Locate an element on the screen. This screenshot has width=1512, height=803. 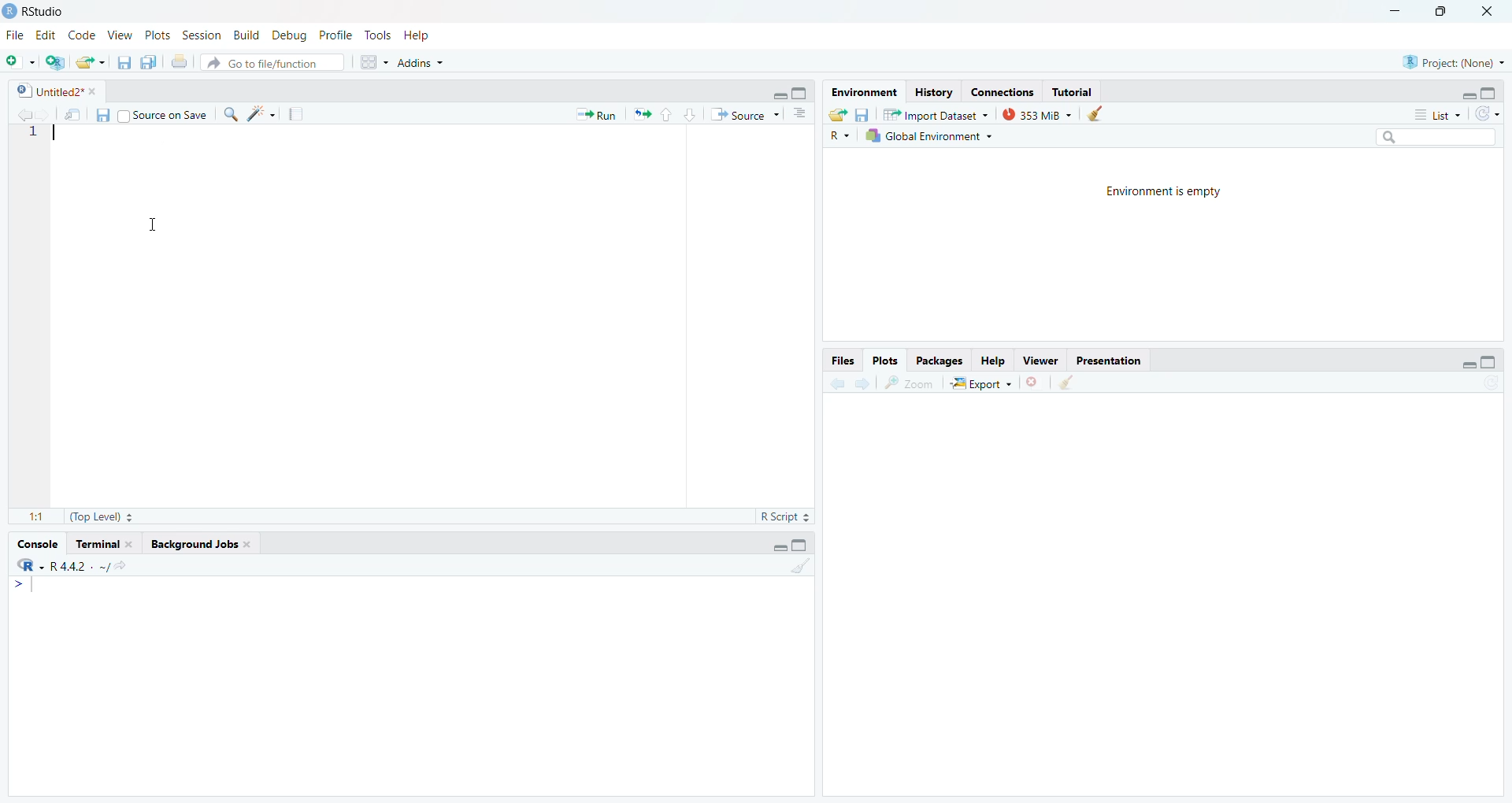
hide console is located at coordinates (1489, 362).